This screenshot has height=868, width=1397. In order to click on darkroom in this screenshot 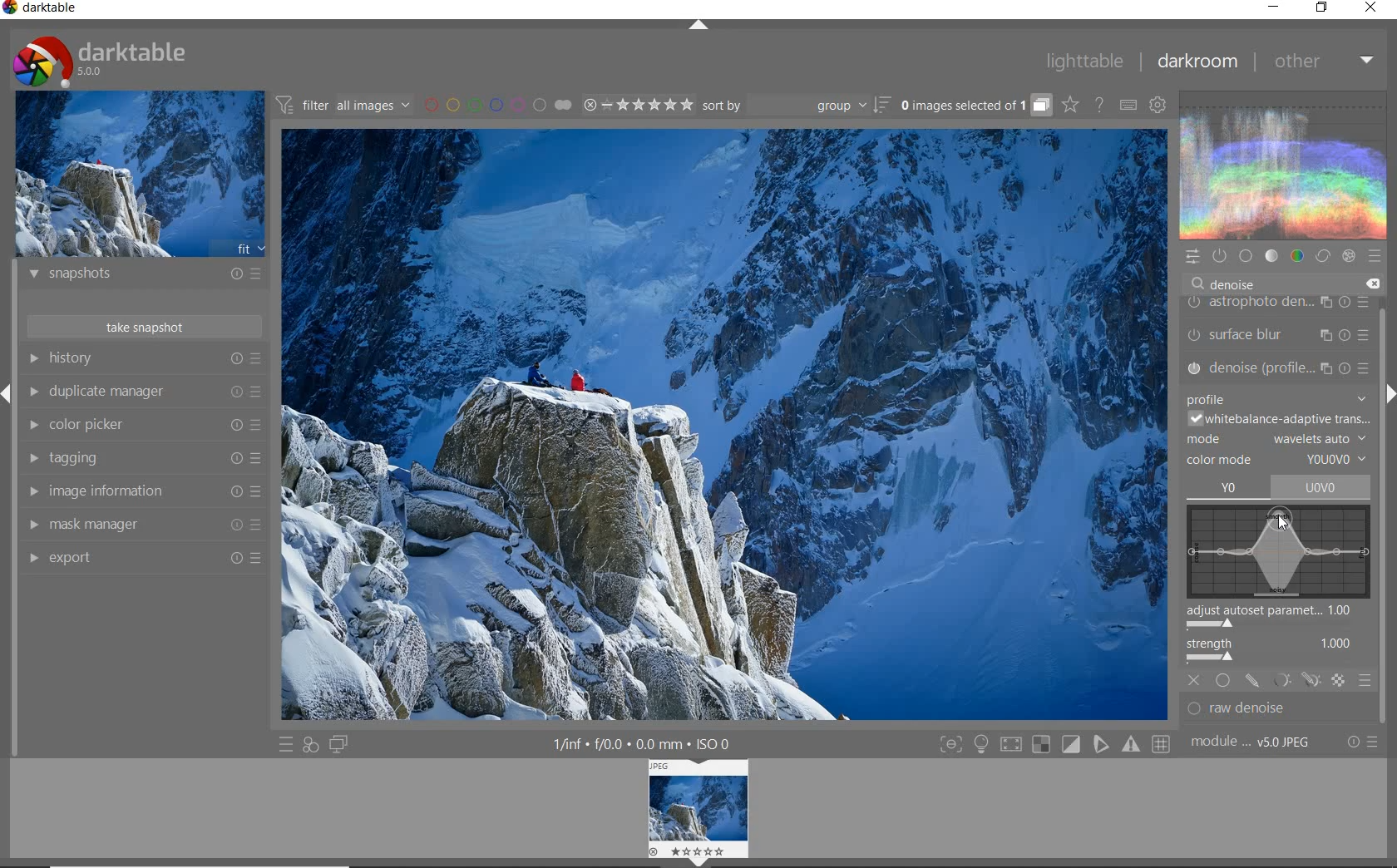, I will do `click(1197, 62)`.